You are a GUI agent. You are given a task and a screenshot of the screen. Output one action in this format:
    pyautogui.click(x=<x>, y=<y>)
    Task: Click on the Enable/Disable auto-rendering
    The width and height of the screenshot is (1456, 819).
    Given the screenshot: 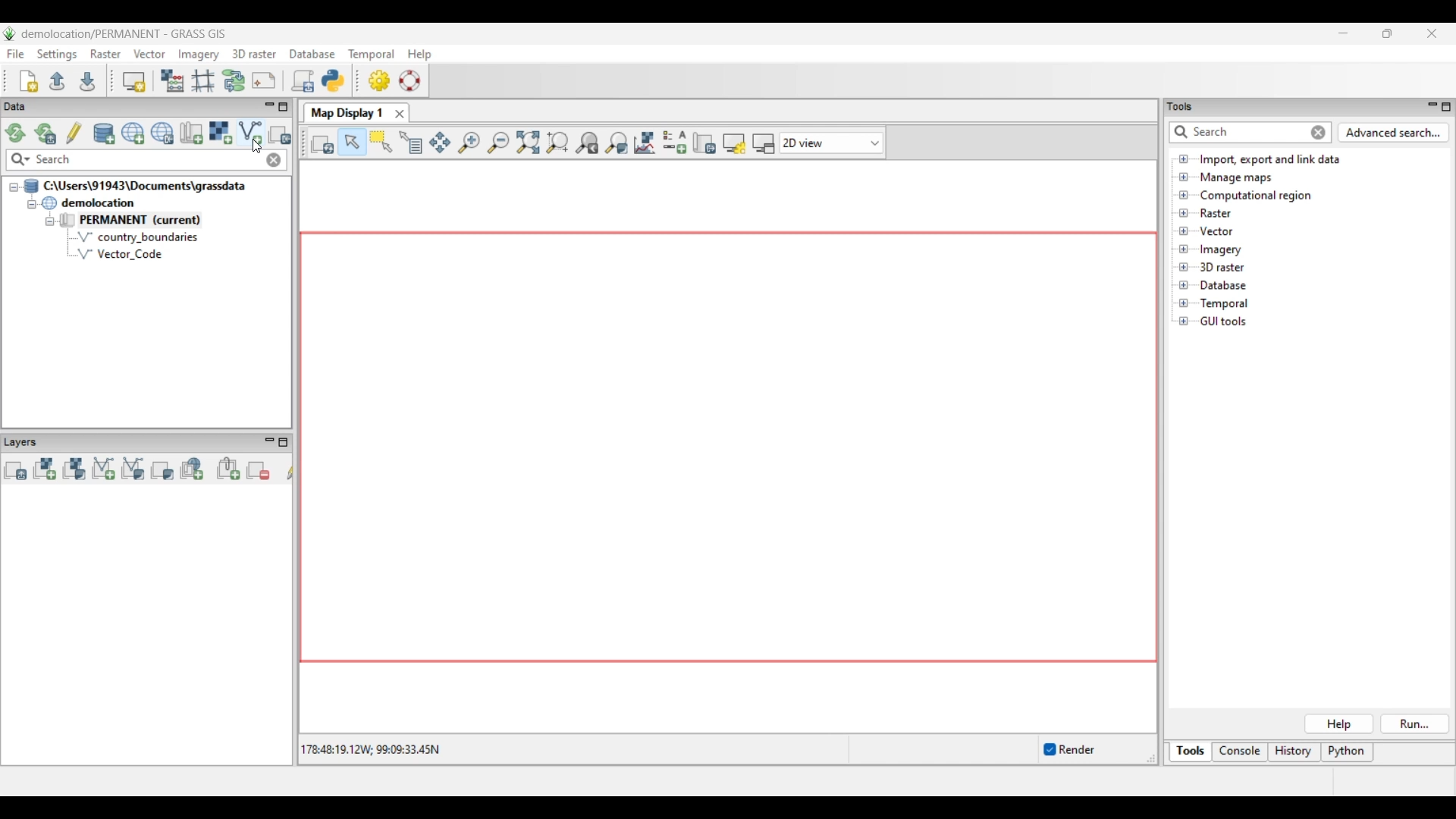 What is the action you would take?
    pyautogui.click(x=1068, y=750)
    